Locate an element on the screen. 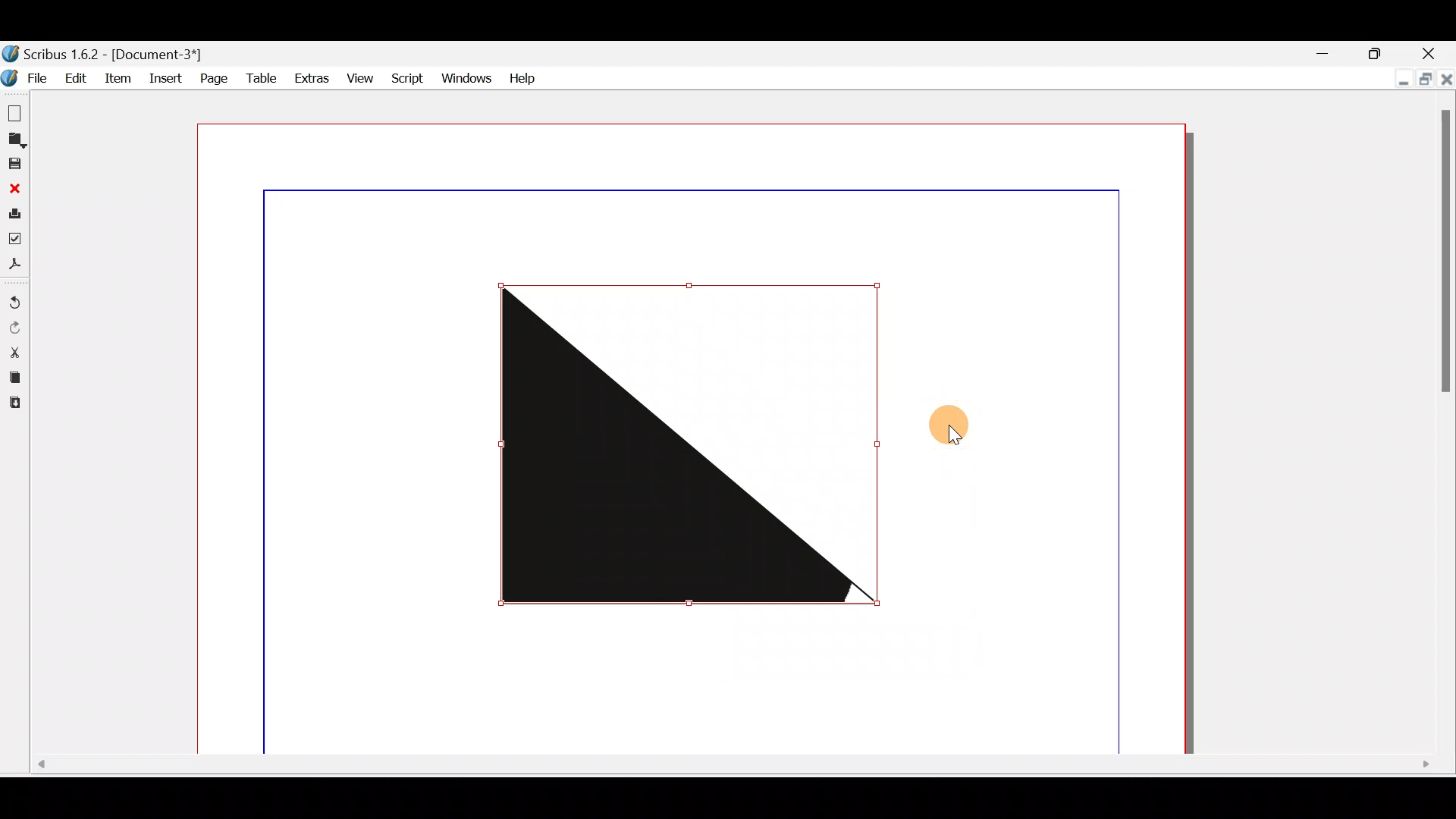 The height and width of the screenshot is (819, 1456). File is located at coordinates (24, 78).